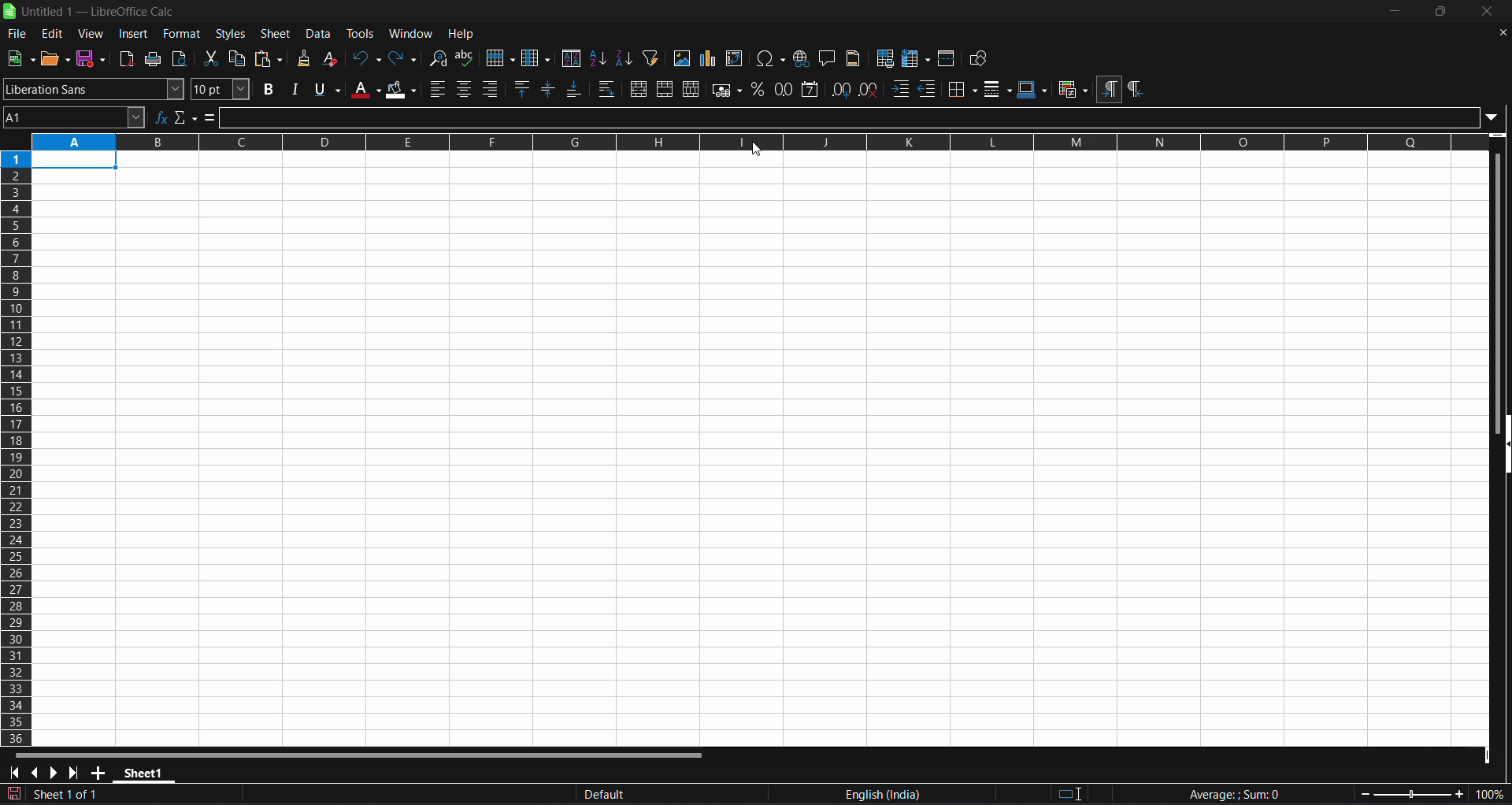  Describe the element at coordinates (187, 117) in the screenshot. I see `select function` at that location.